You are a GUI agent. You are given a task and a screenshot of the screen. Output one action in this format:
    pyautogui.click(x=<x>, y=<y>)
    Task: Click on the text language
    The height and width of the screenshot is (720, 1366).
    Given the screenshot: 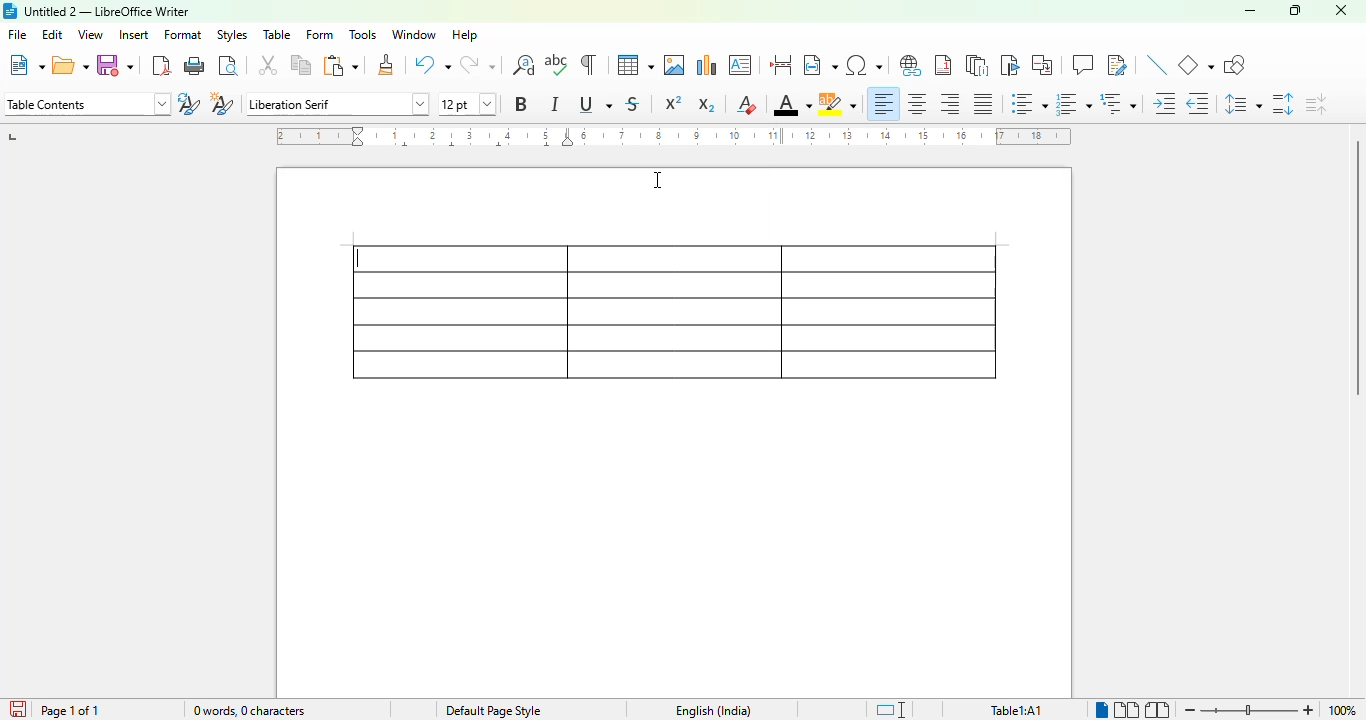 What is the action you would take?
    pyautogui.click(x=713, y=710)
    